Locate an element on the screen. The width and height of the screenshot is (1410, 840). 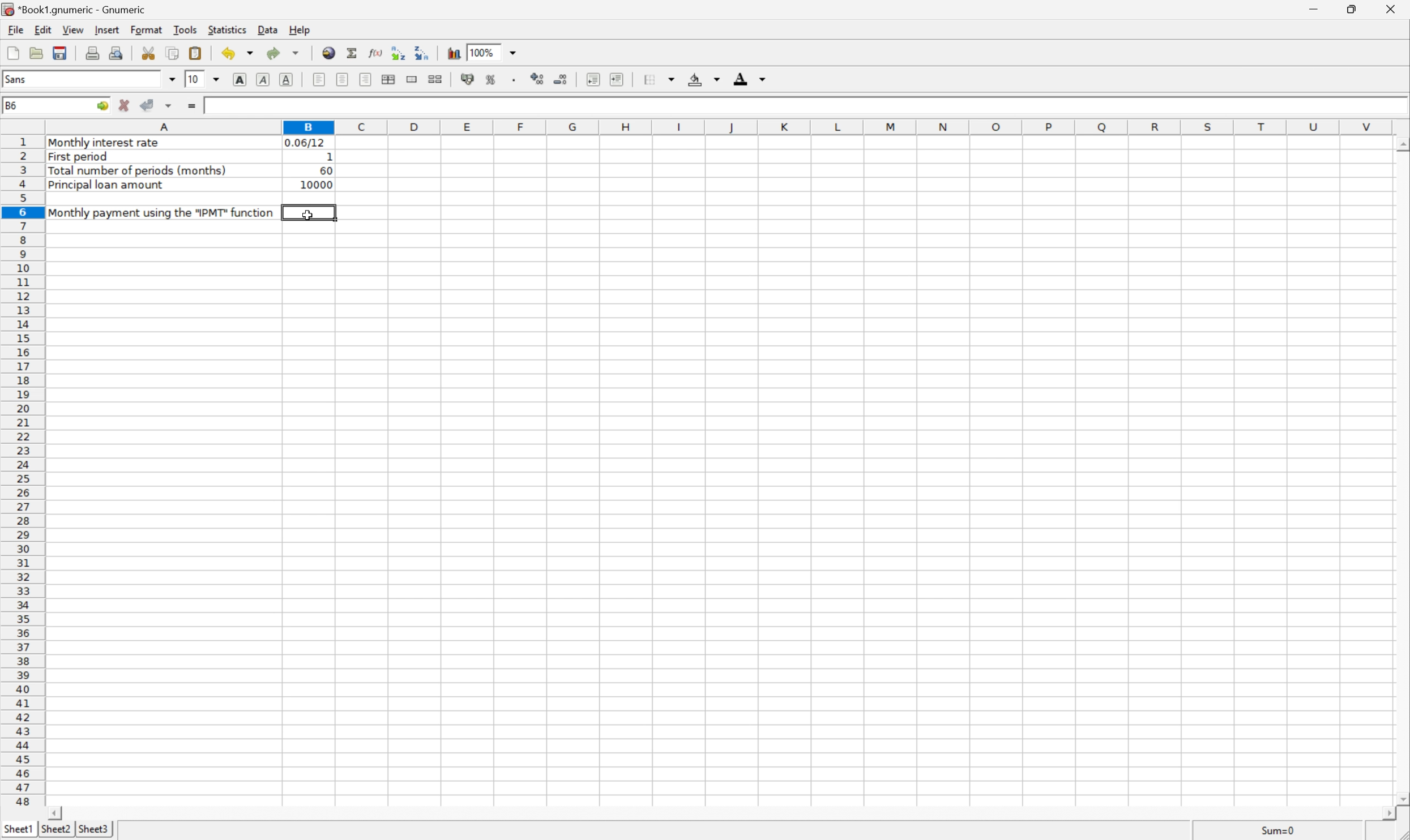
Sum=0 is located at coordinates (1272, 831).